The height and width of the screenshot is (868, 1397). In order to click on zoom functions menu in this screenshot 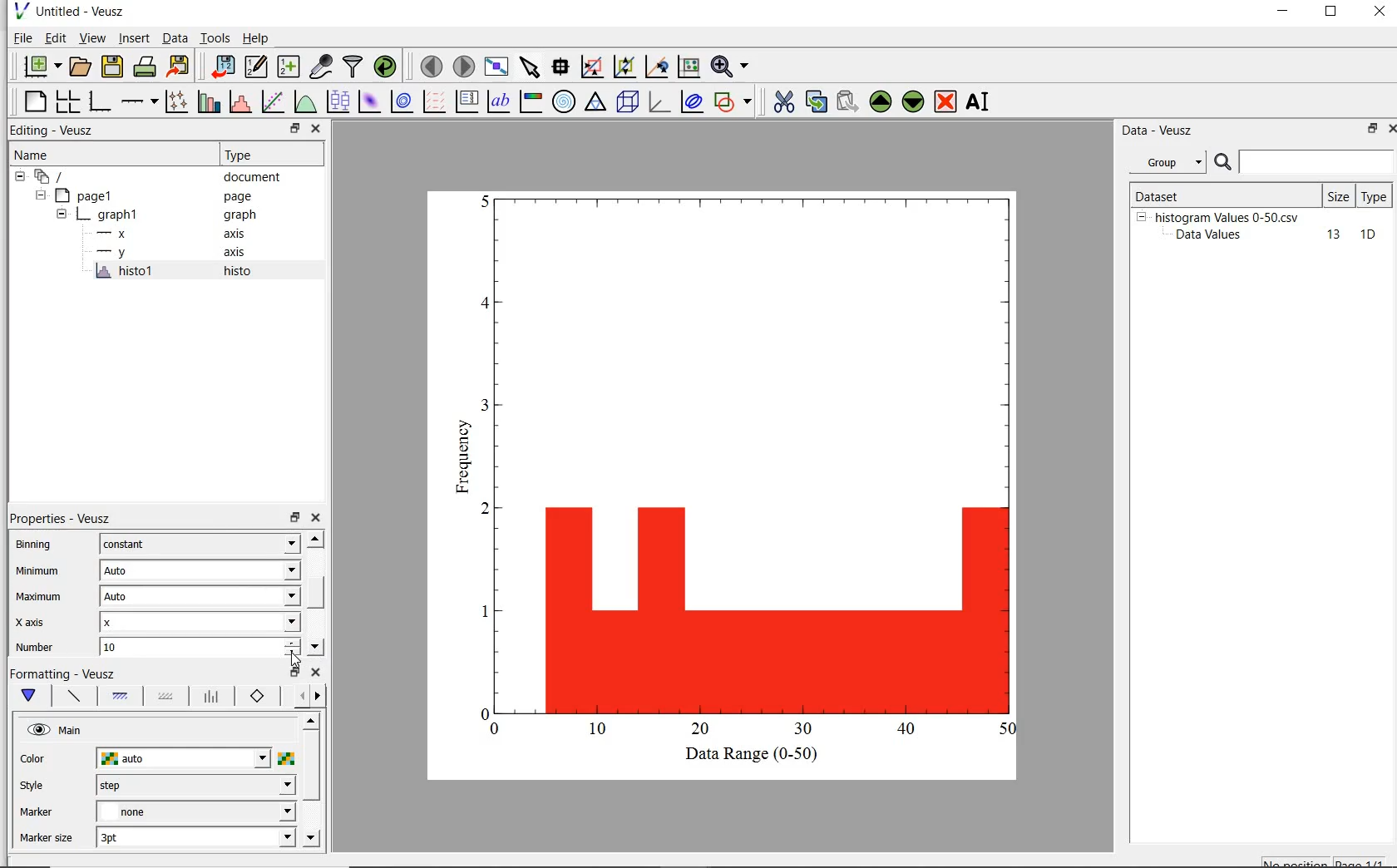, I will do `click(730, 67)`.